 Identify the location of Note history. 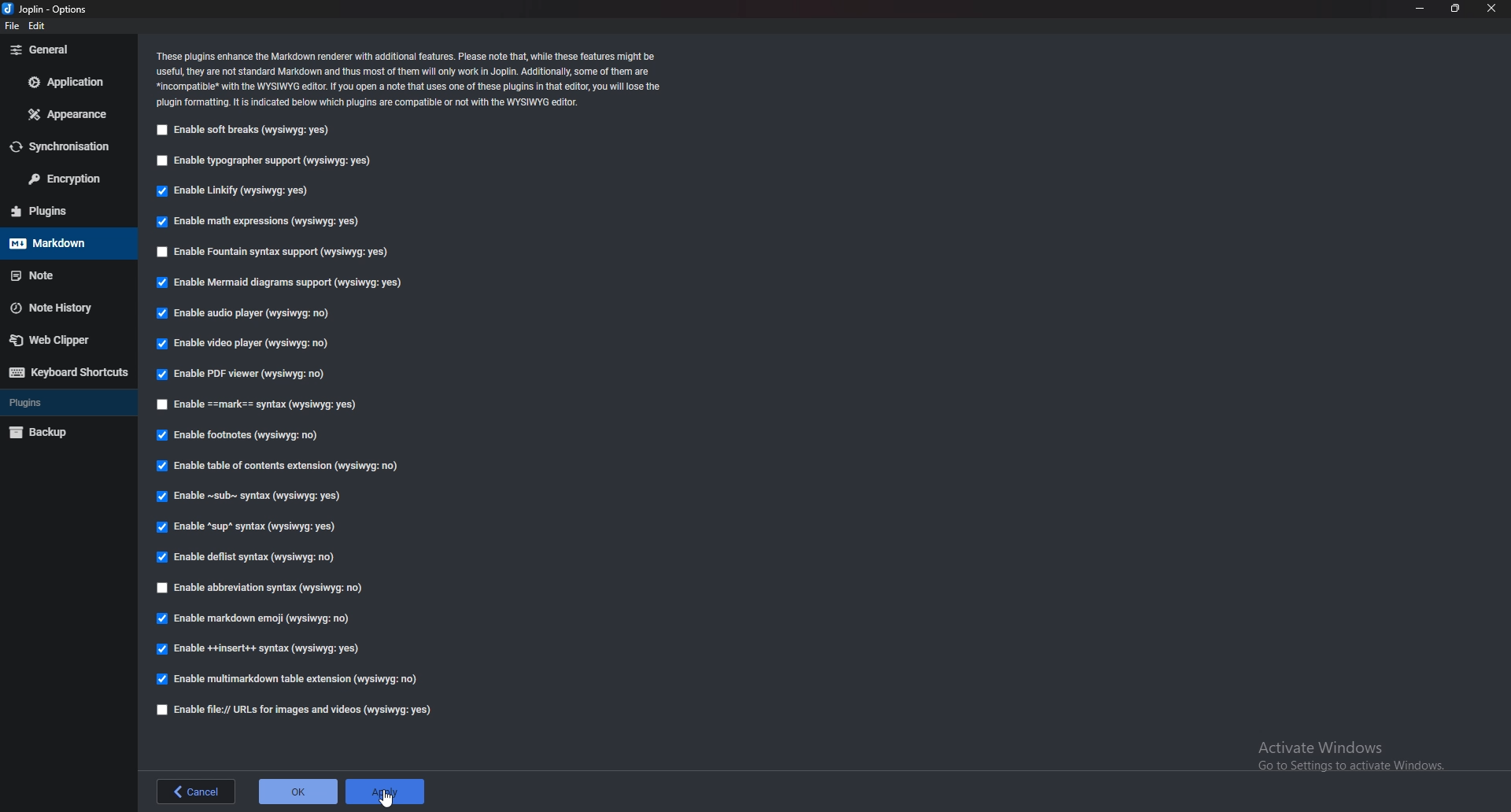
(63, 307).